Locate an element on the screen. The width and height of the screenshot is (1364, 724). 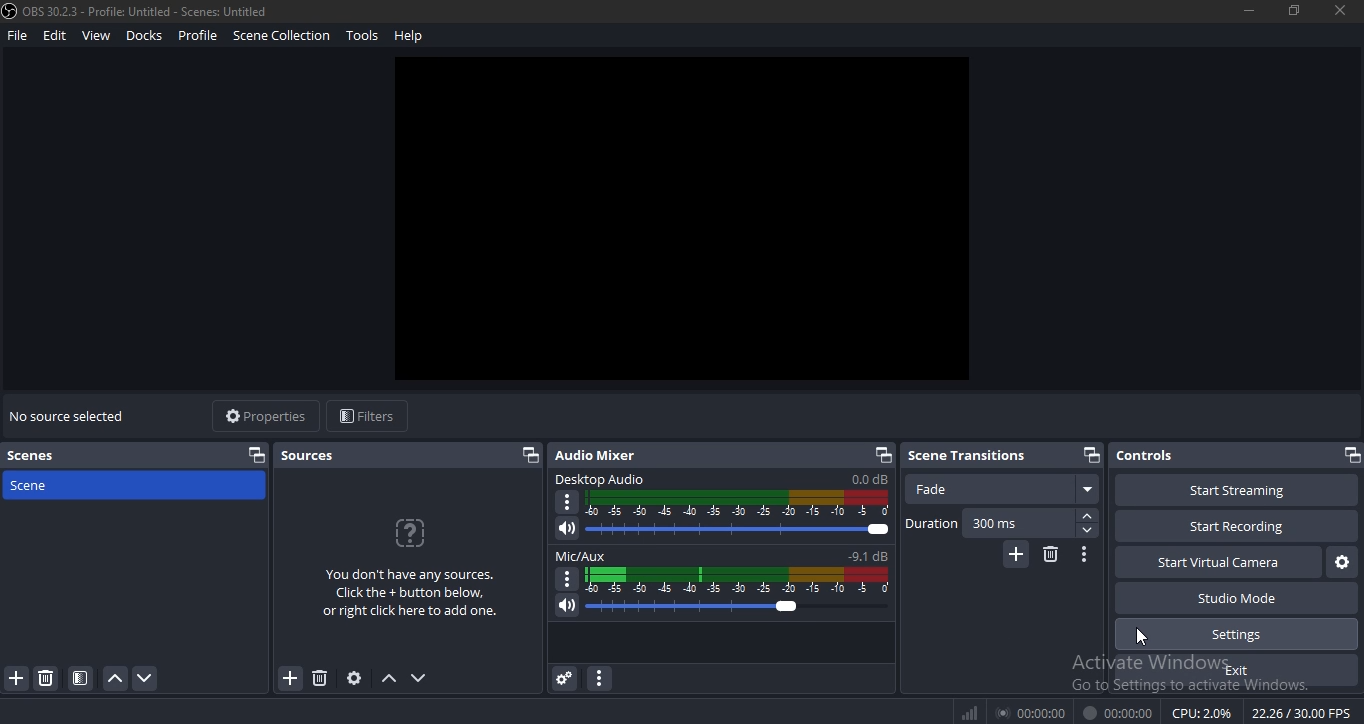
 is located at coordinates (80, 678).